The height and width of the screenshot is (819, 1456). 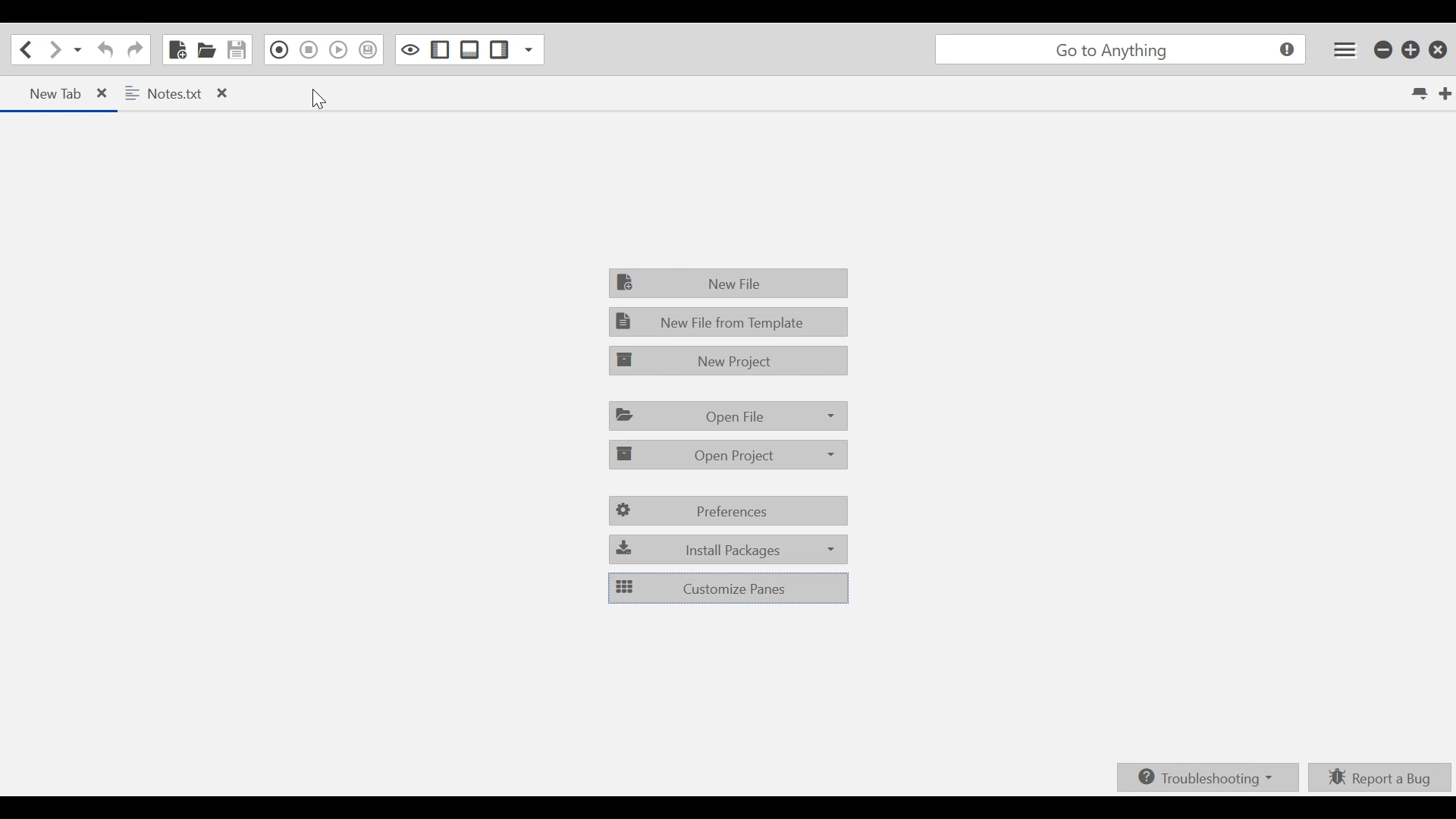 I want to click on Show/Hide Bottom Pane, so click(x=469, y=50).